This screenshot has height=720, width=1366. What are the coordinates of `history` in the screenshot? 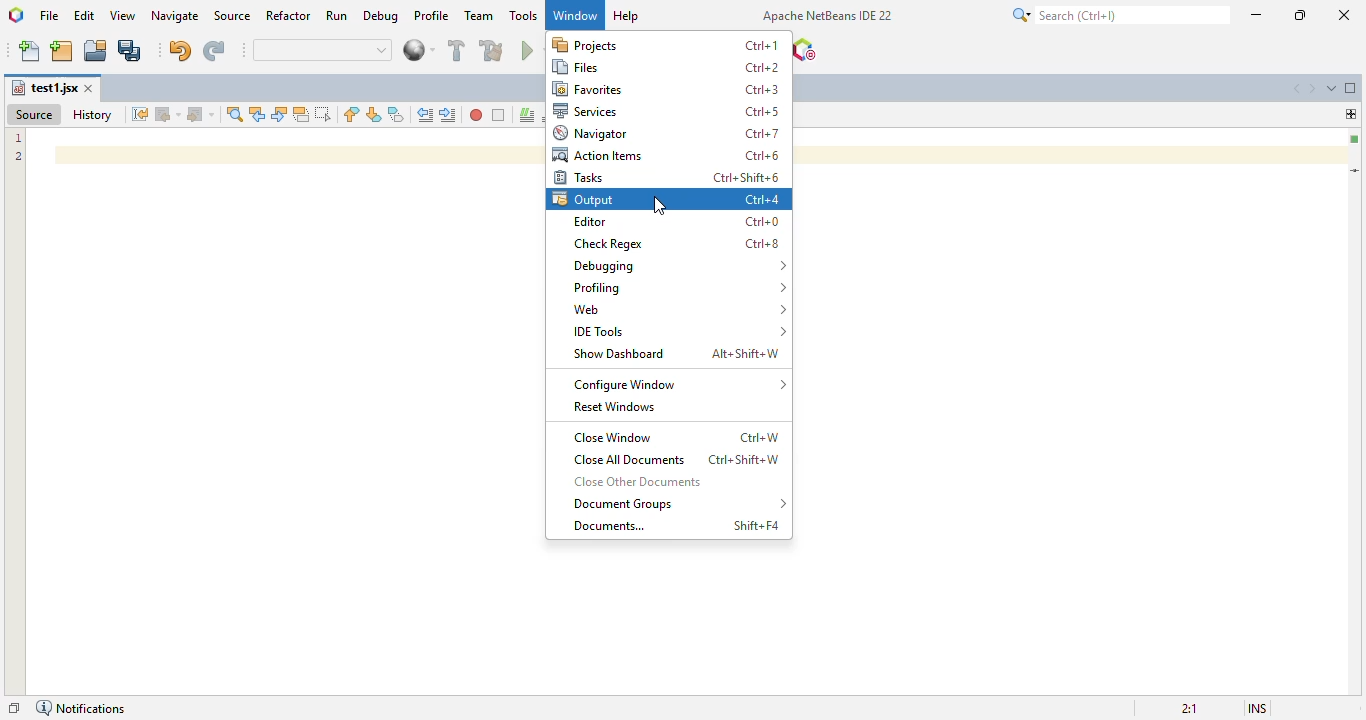 It's located at (92, 115).